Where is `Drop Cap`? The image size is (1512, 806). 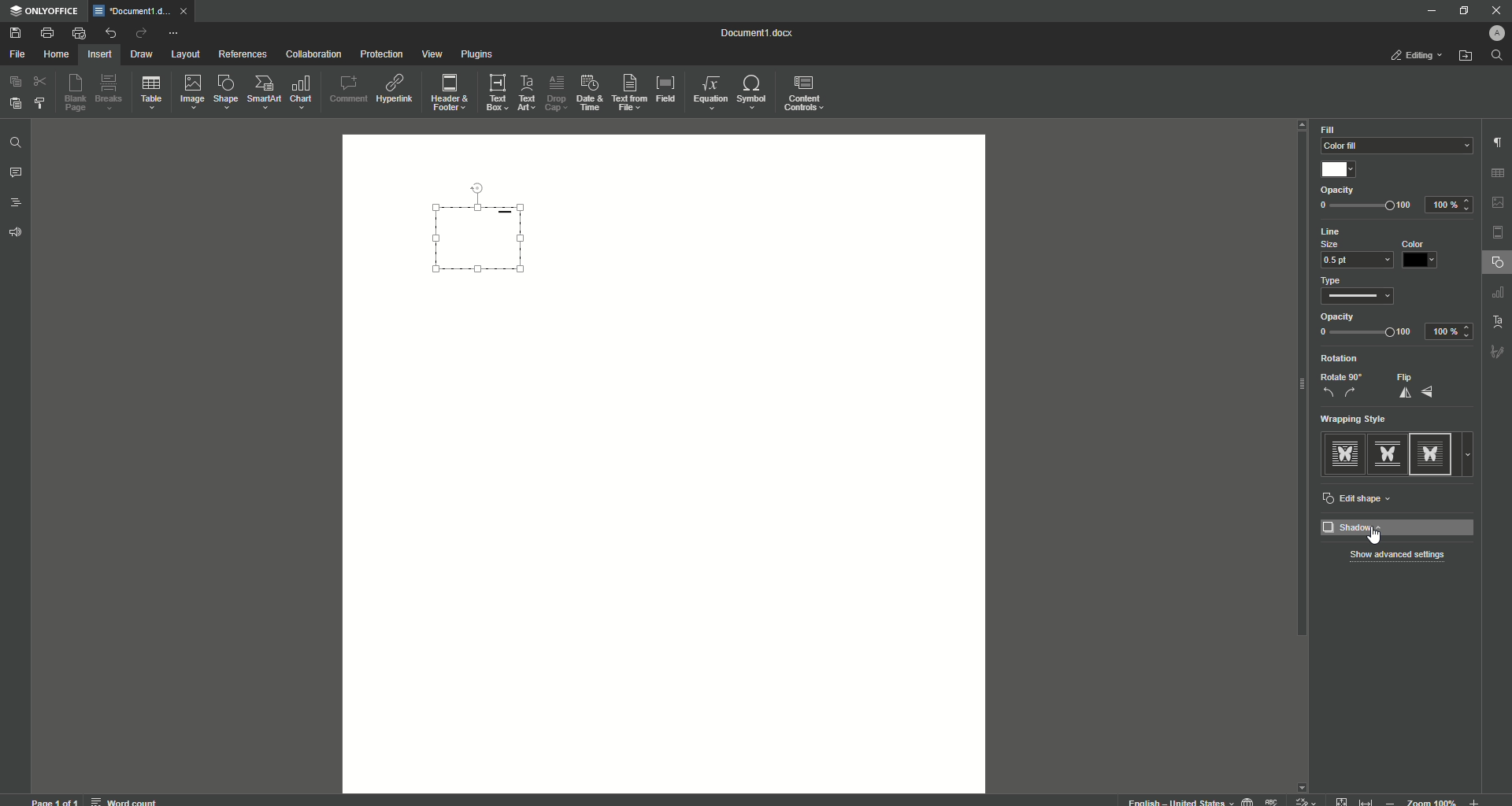 Drop Cap is located at coordinates (554, 90).